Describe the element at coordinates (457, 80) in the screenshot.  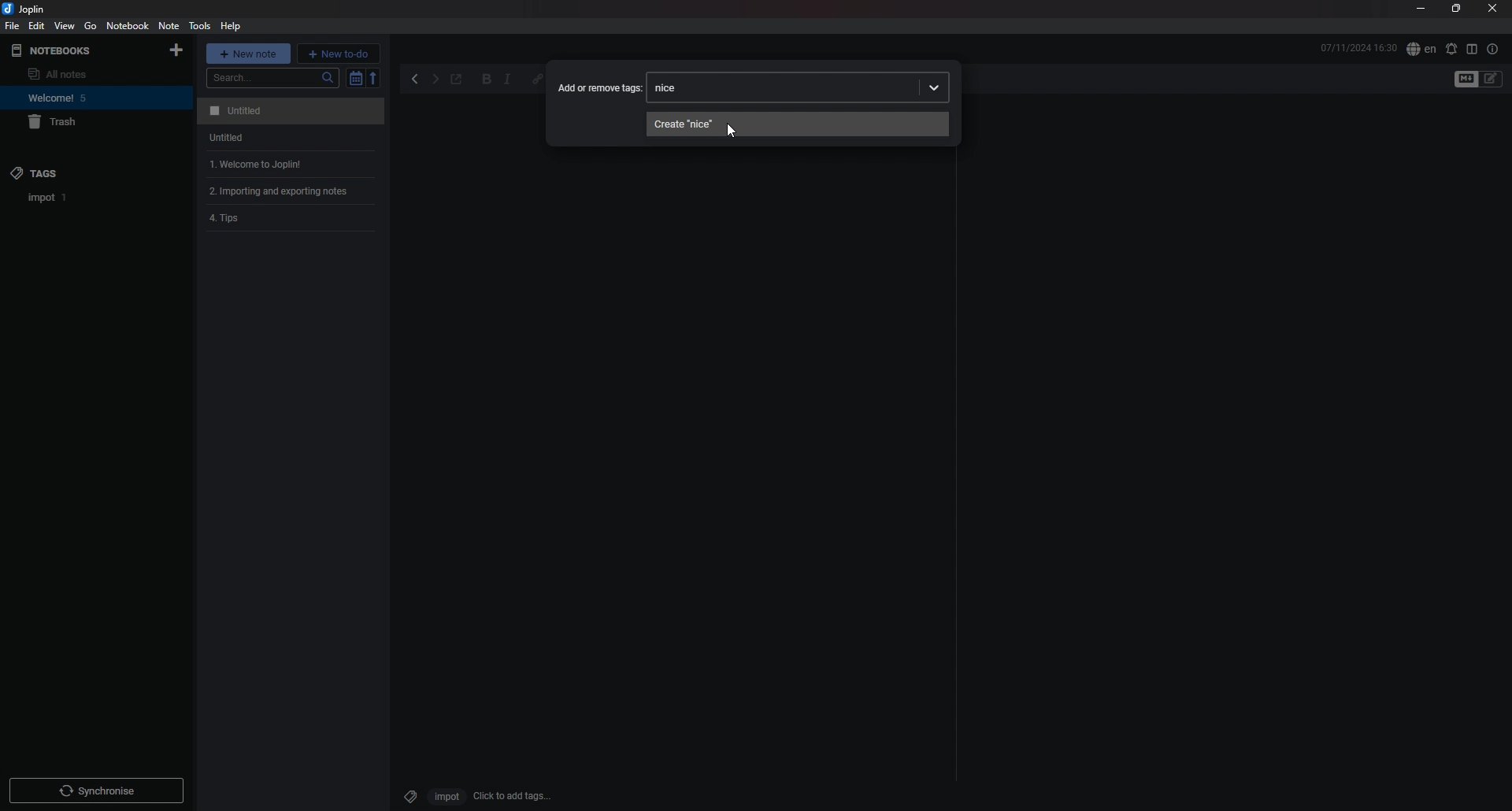
I see `toggle external editing` at that location.